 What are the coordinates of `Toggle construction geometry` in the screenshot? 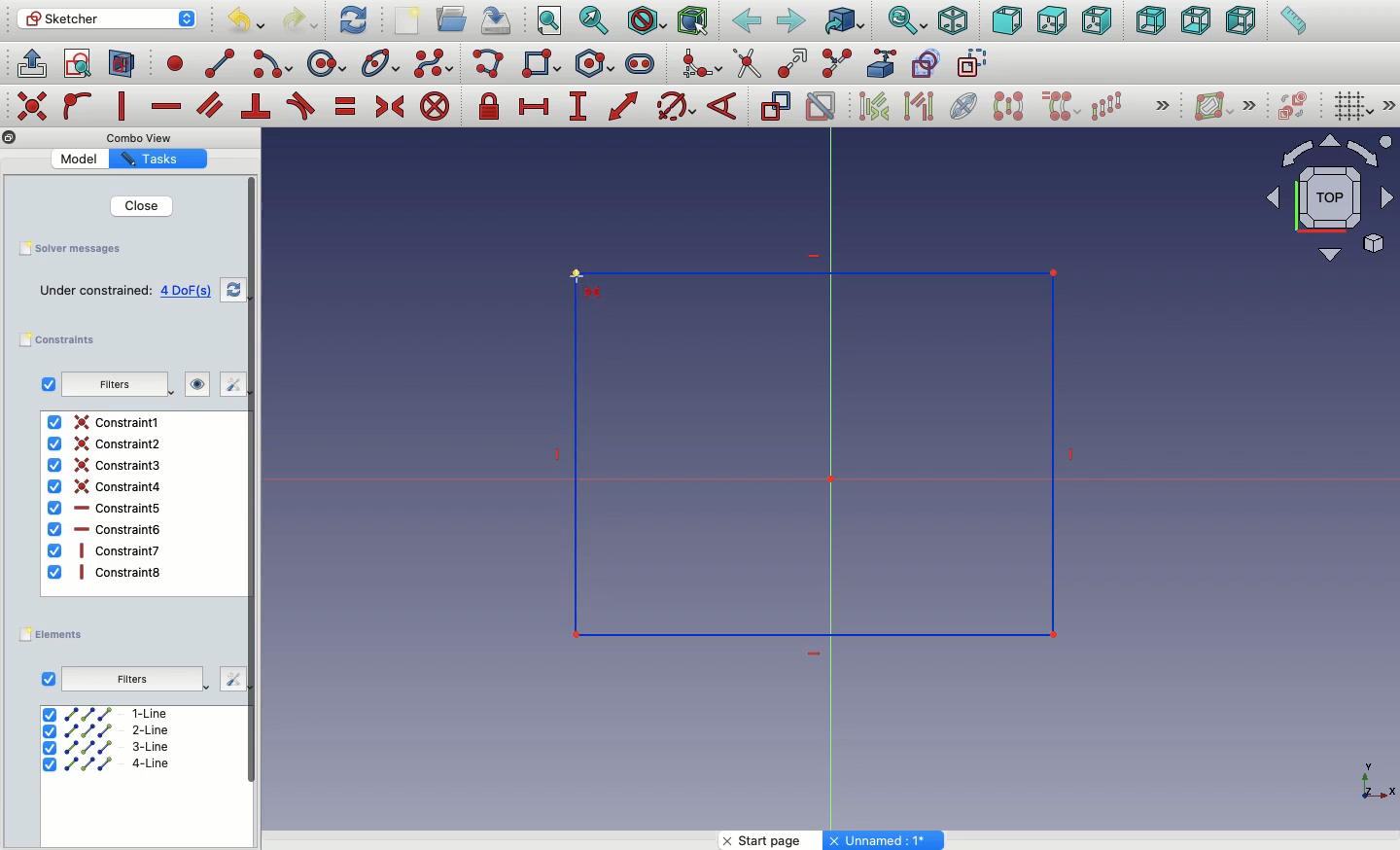 It's located at (973, 62).